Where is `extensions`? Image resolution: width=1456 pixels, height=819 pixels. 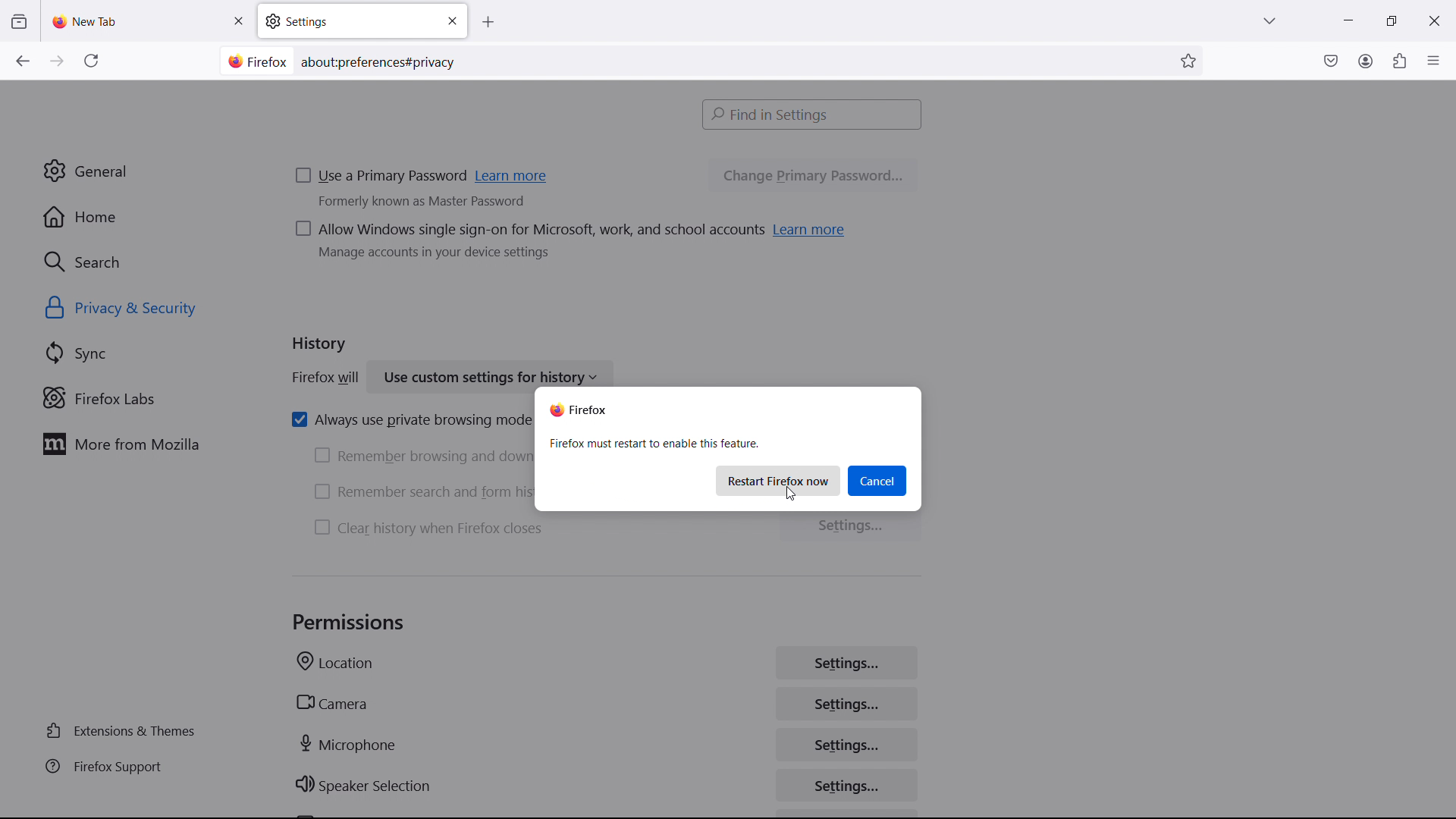
extensions is located at coordinates (1398, 61).